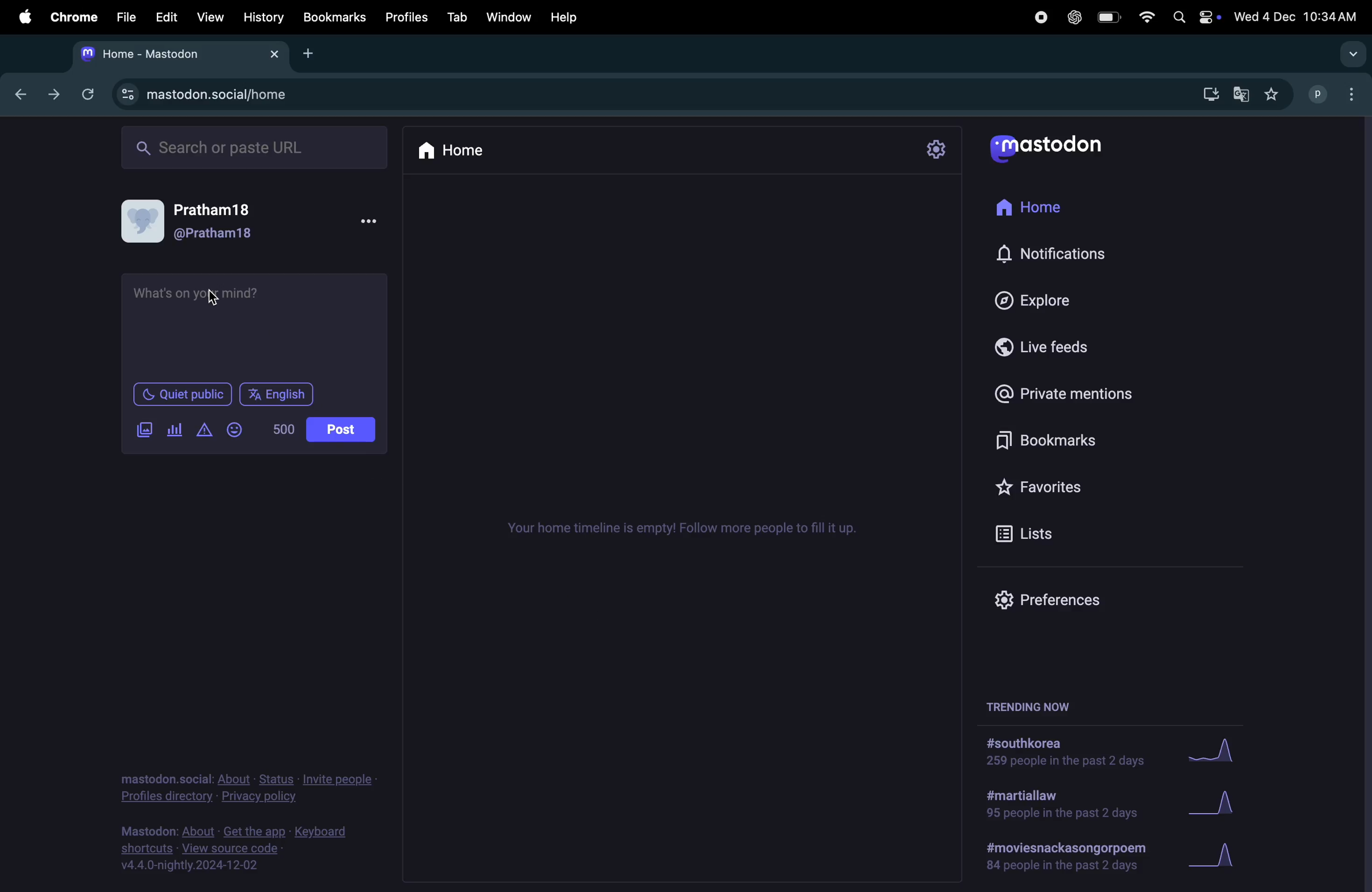 This screenshot has height=892, width=1372. Describe the element at coordinates (334, 17) in the screenshot. I see `Bookmarks` at that location.